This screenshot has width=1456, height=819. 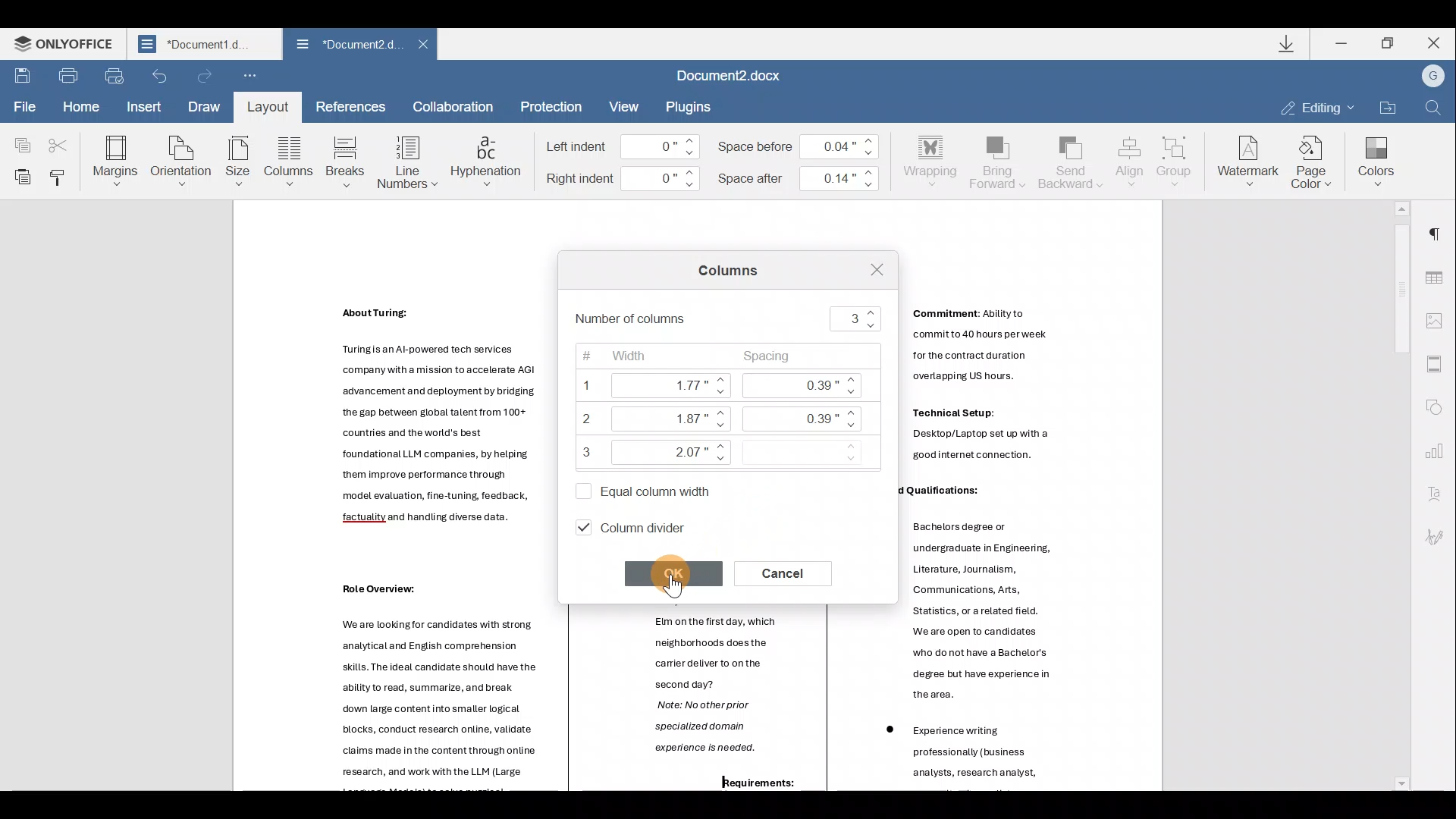 I want to click on Image settings, so click(x=1439, y=319).